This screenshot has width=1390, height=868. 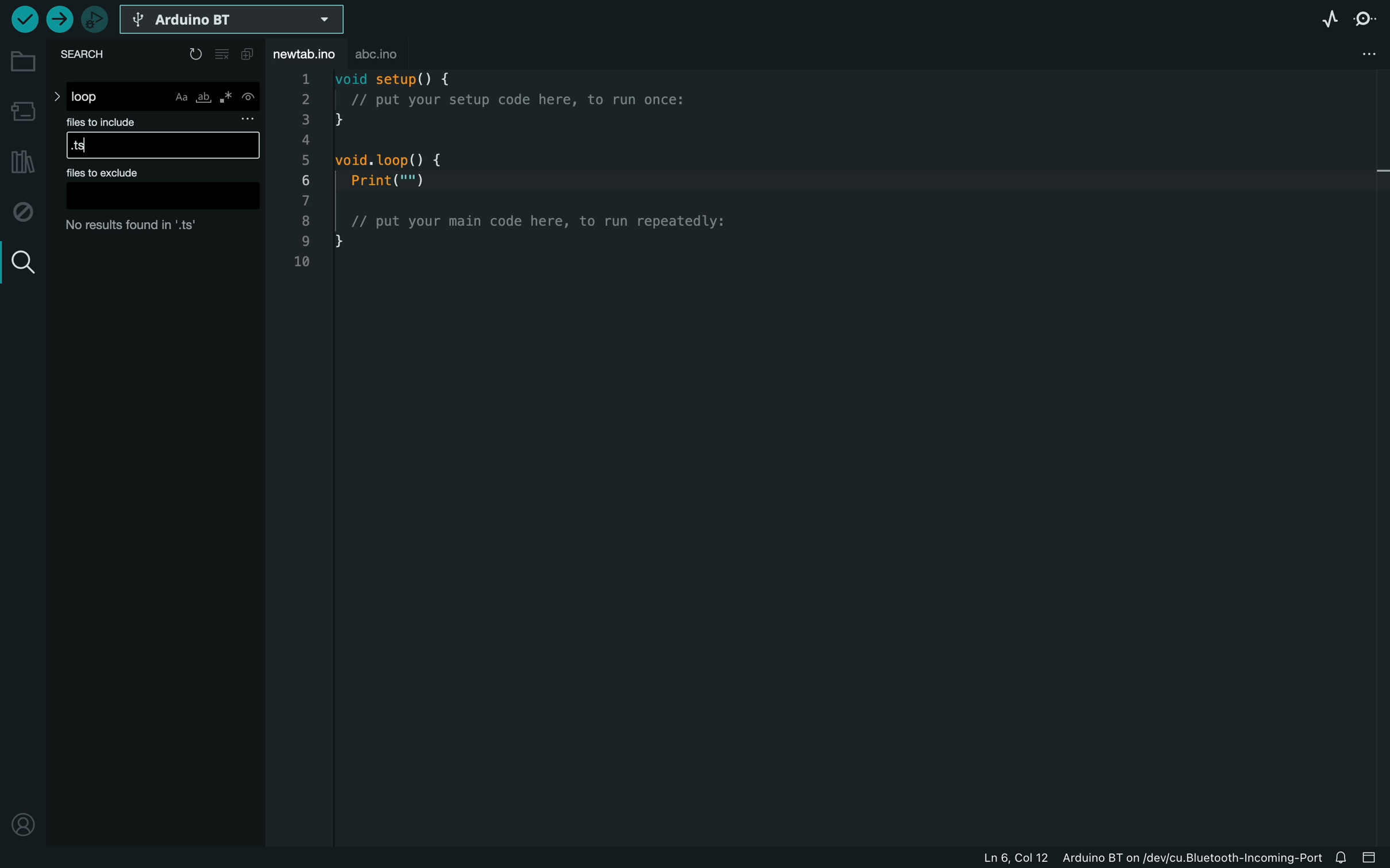 What do you see at coordinates (537, 184) in the screenshot?
I see `void setup() {// put your setup code here, to run once:}void. loop() {Print("")// put your main code here, to run repeatedly:}` at bounding box center [537, 184].